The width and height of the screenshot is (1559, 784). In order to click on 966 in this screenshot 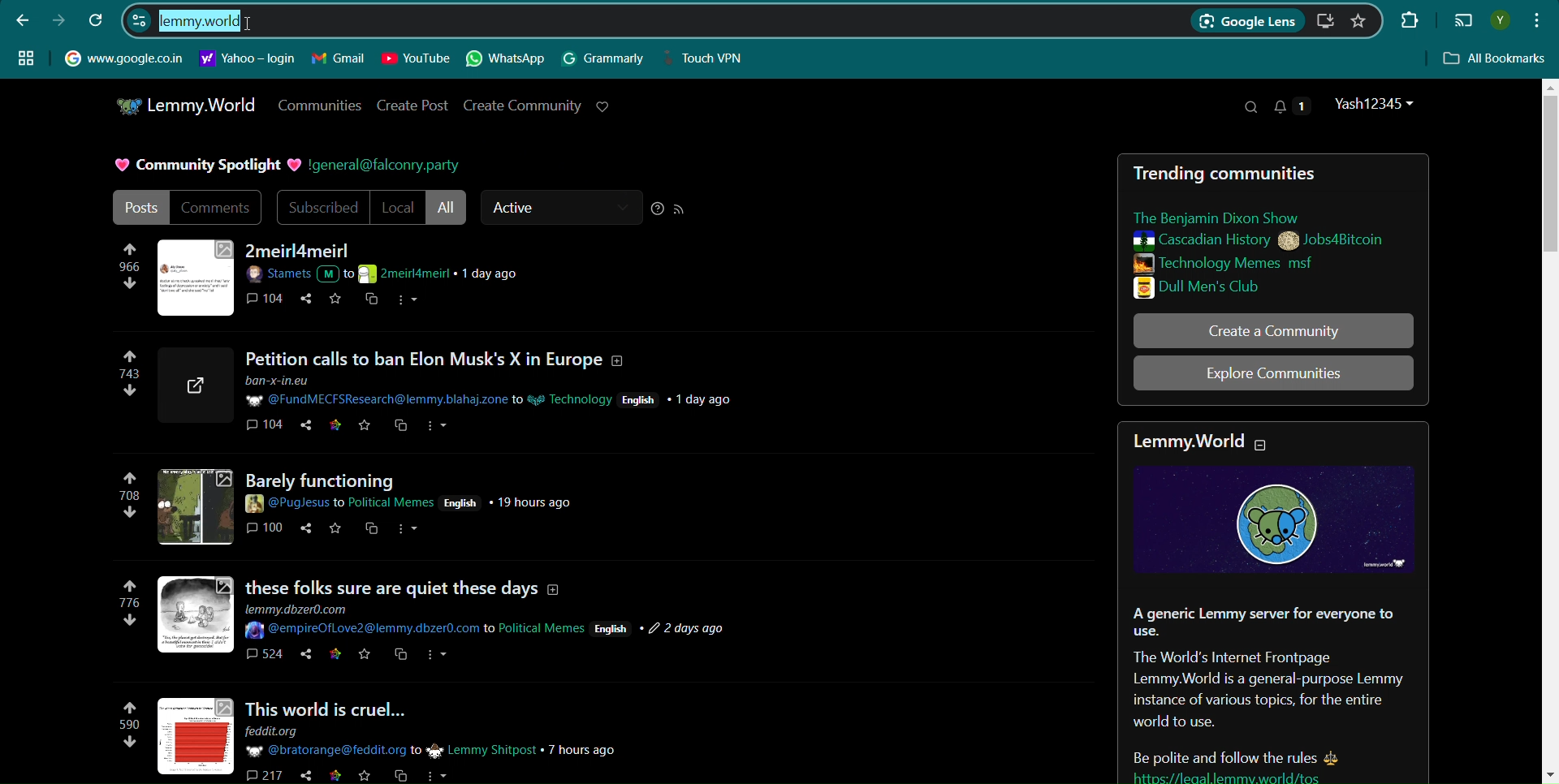, I will do `click(129, 272)`.